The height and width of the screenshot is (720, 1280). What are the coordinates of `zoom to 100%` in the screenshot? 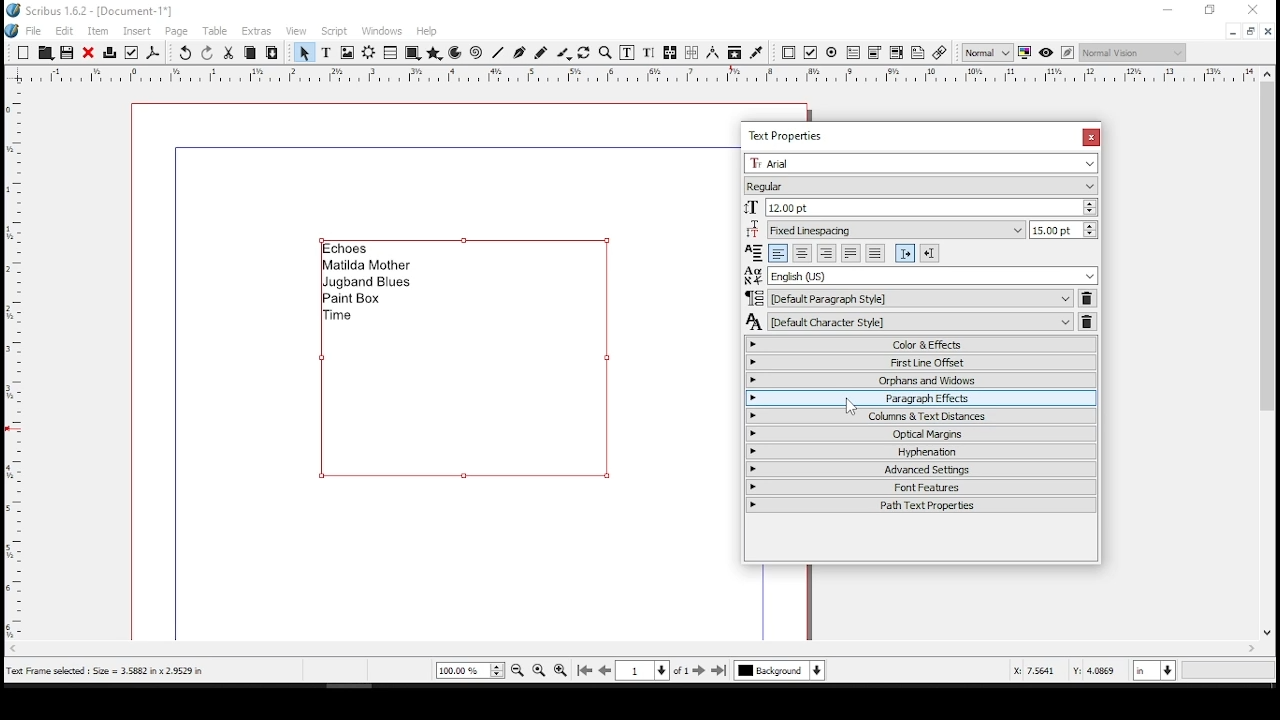 It's located at (539, 669).